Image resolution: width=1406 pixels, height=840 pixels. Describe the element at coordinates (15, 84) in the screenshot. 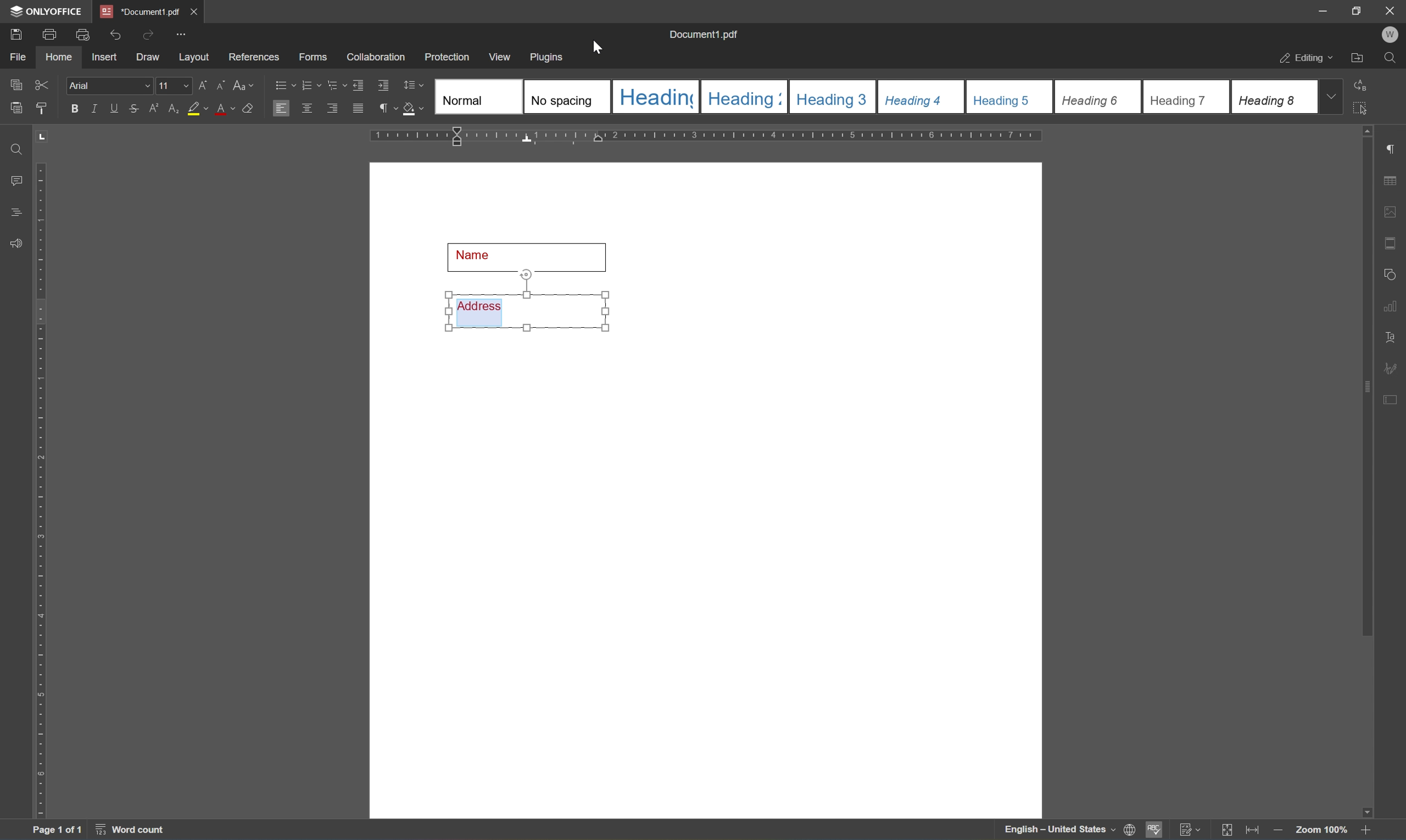

I see `copy` at that location.